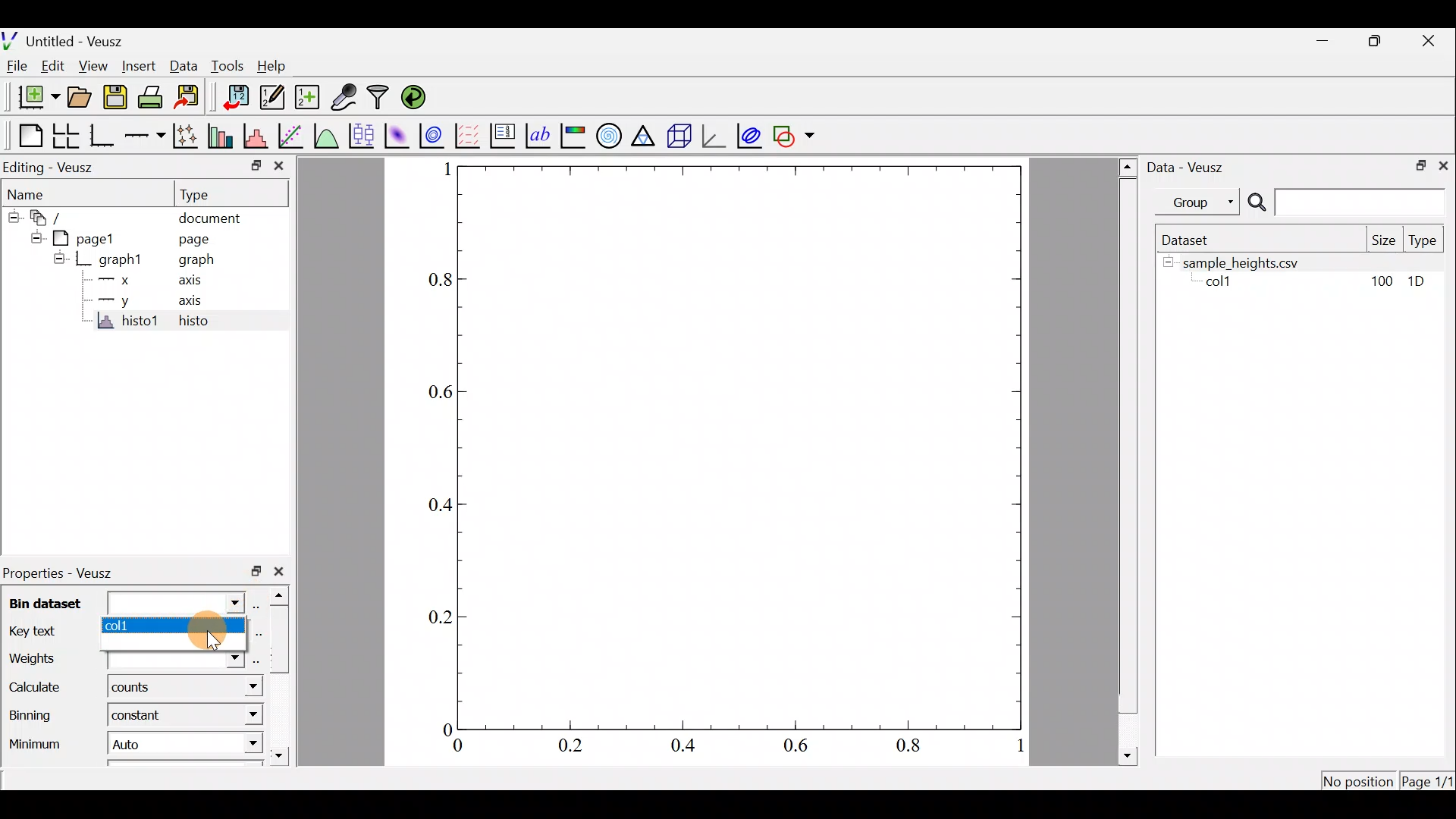 Image resolution: width=1456 pixels, height=819 pixels. Describe the element at coordinates (1426, 783) in the screenshot. I see `Page 1/1` at that location.